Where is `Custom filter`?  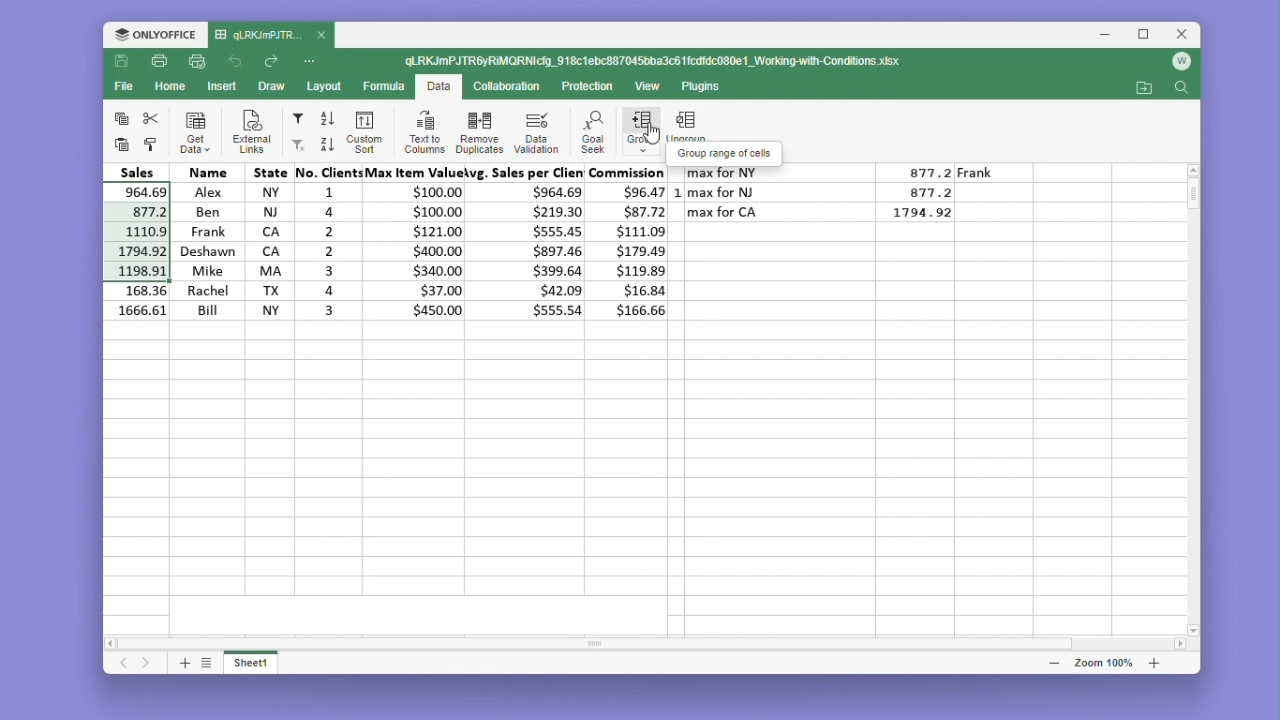 Custom filter is located at coordinates (296, 145).